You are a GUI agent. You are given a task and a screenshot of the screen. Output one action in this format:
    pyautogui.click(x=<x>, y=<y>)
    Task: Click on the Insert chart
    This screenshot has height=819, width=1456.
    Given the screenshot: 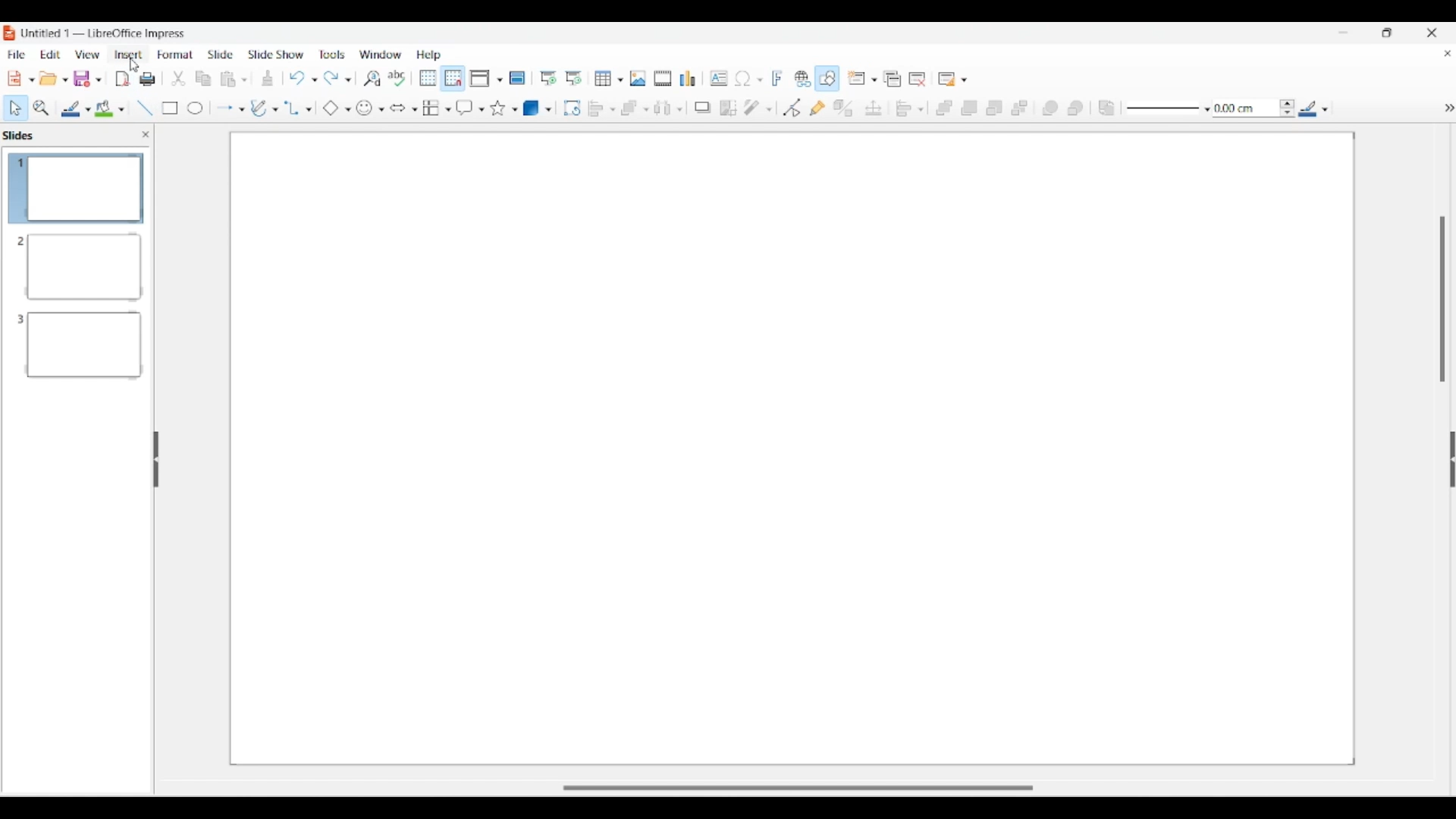 What is the action you would take?
    pyautogui.click(x=687, y=78)
    